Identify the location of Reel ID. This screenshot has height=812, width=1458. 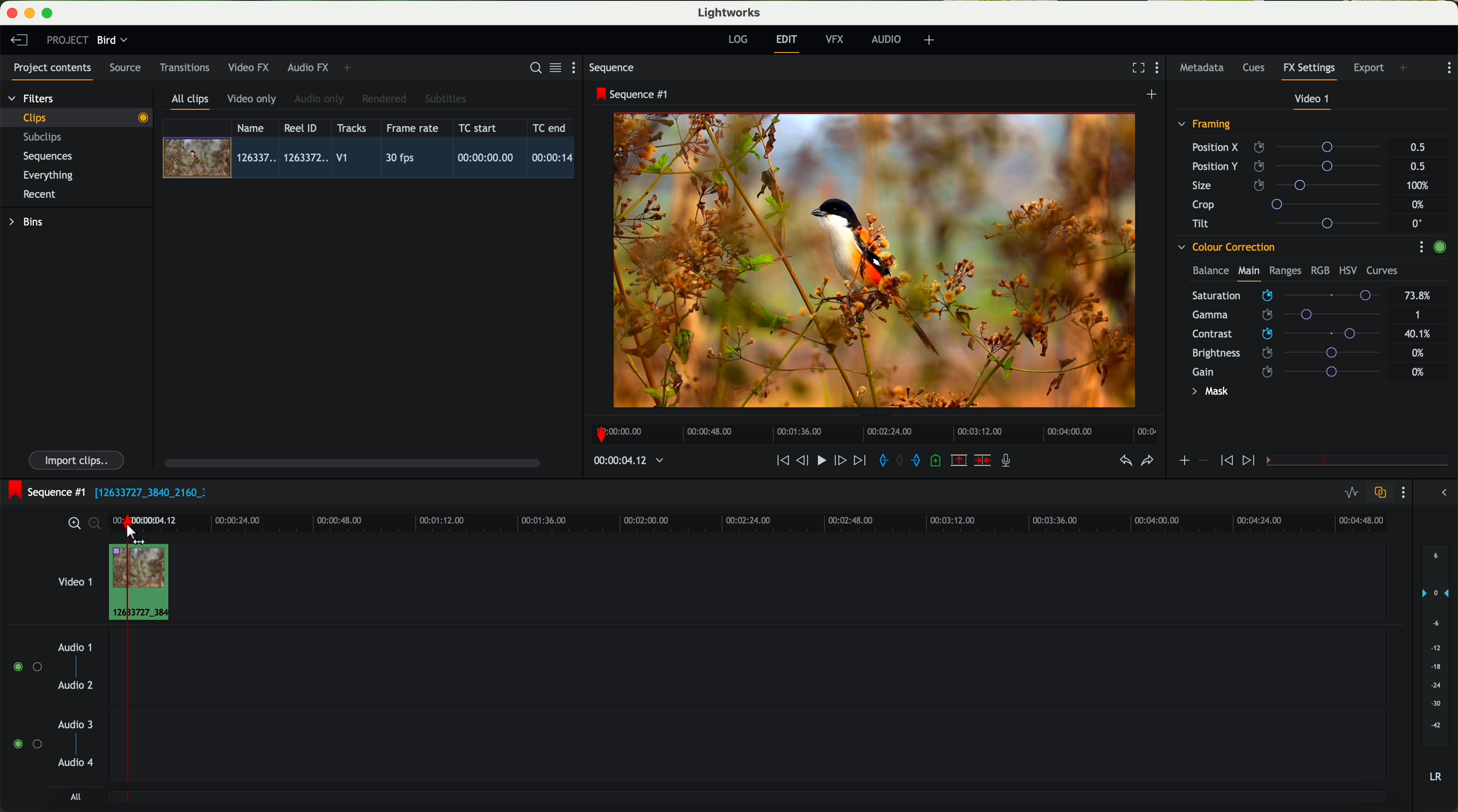
(303, 127).